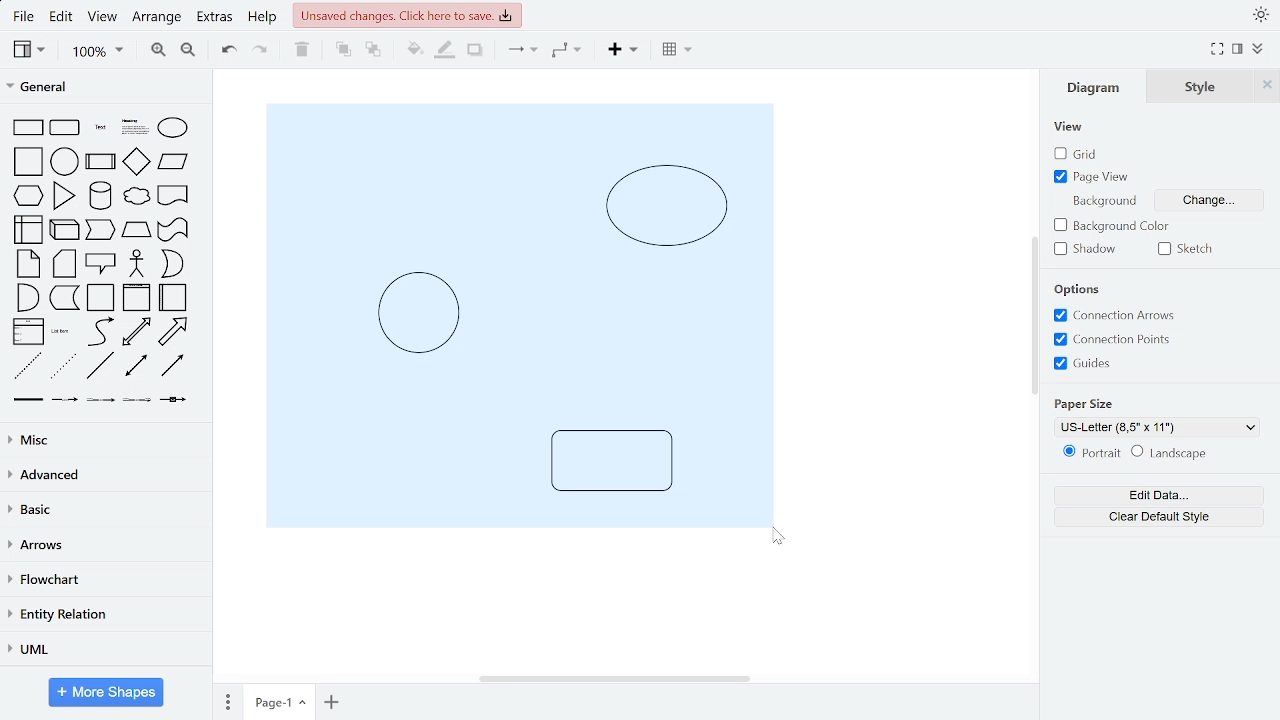  Describe the element at coordinates (29, 127) in the screenshot. I see `rectangle` at that location.